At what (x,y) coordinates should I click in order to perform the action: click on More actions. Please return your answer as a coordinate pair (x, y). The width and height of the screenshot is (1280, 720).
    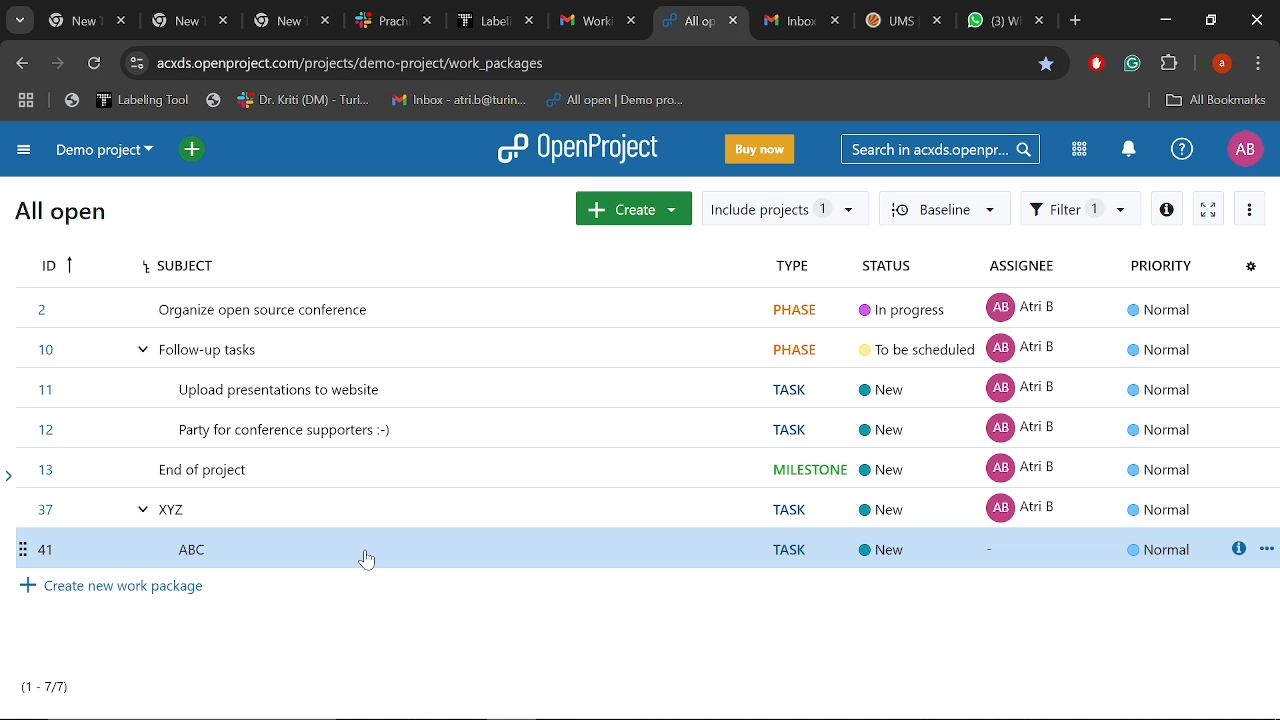
    Looking at the image, I should click on (1252, 209).